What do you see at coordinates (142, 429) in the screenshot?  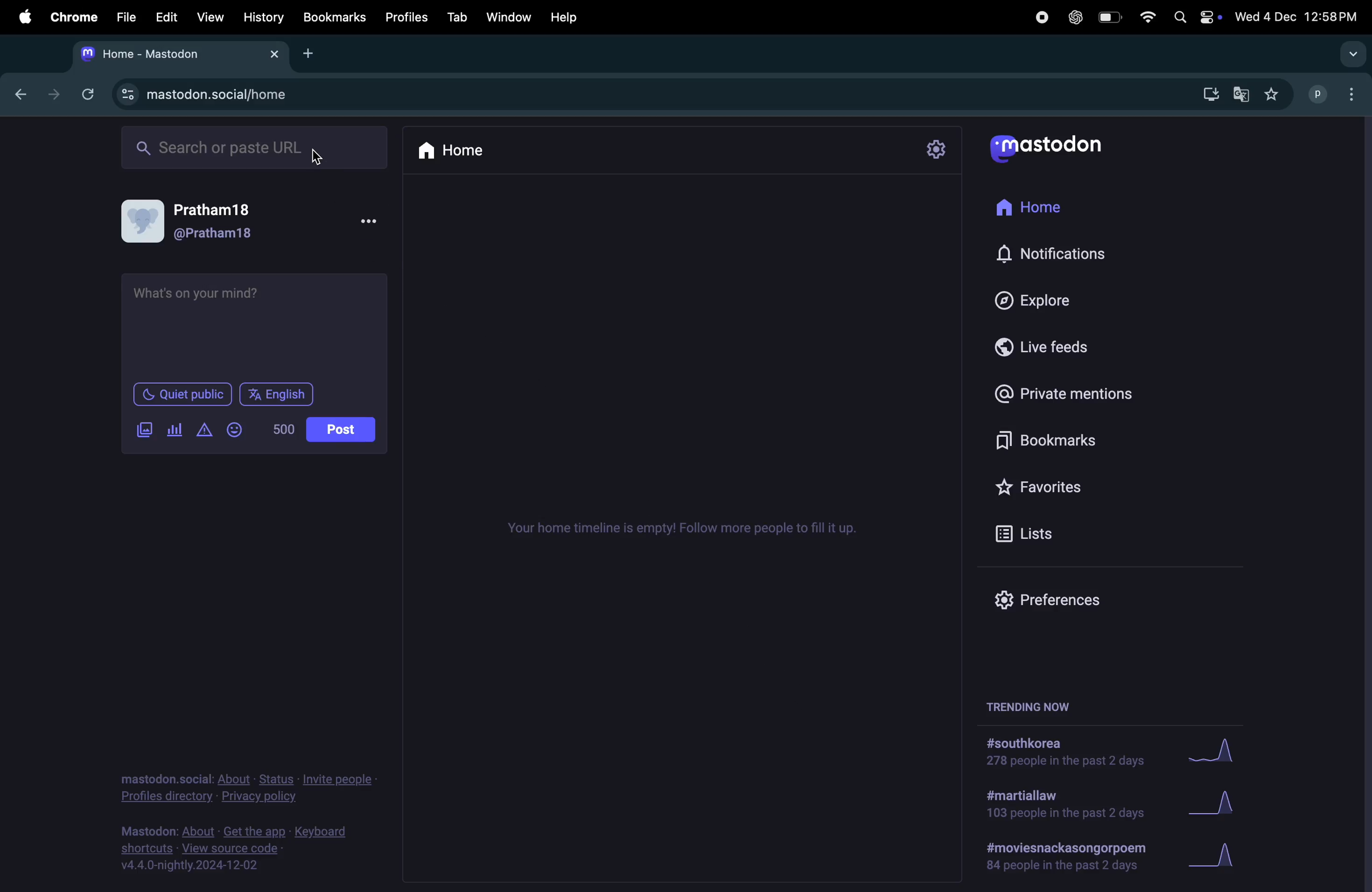 I see `add image` at bounding box center [142, 429].